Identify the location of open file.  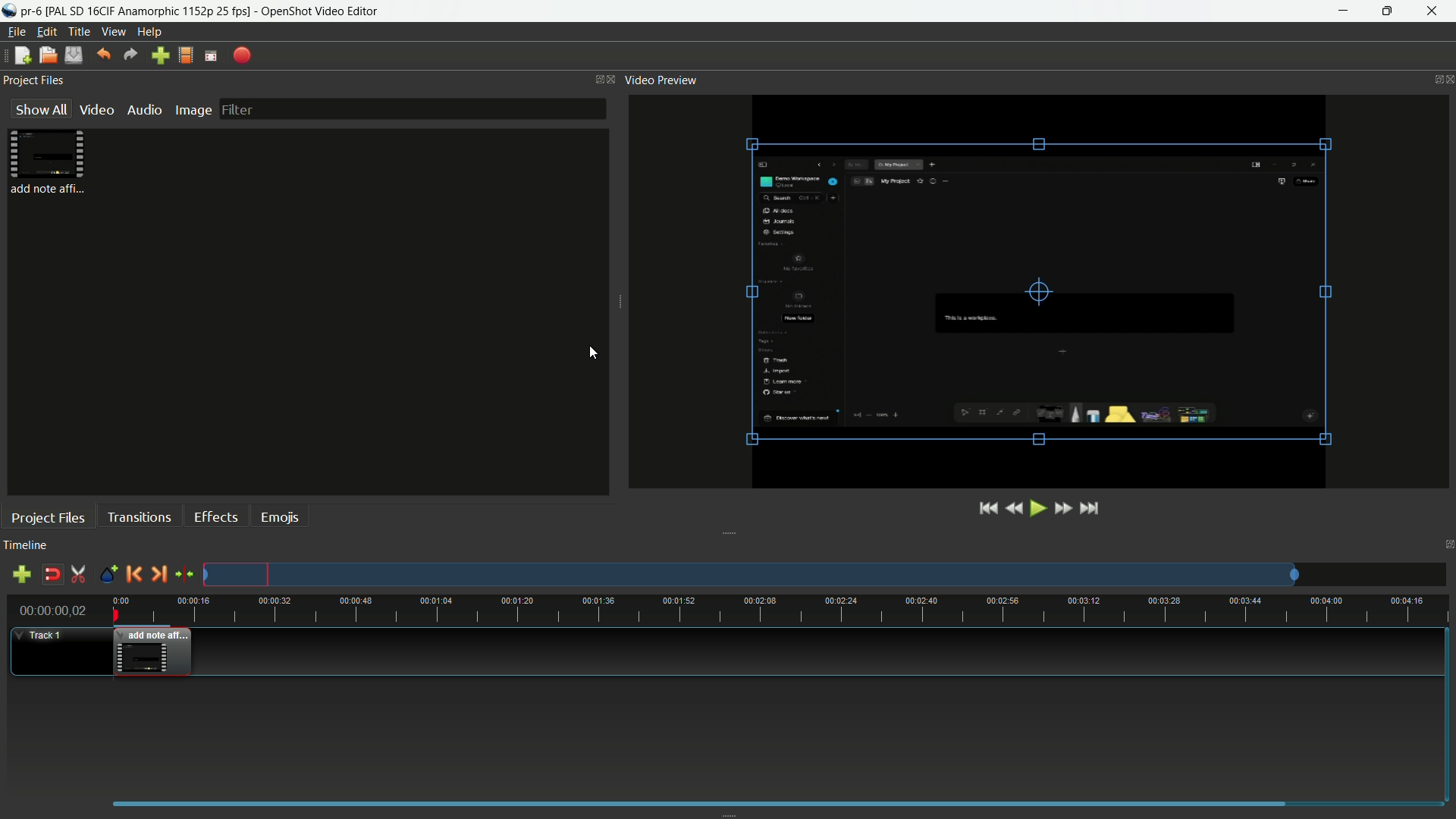
(48, 55).